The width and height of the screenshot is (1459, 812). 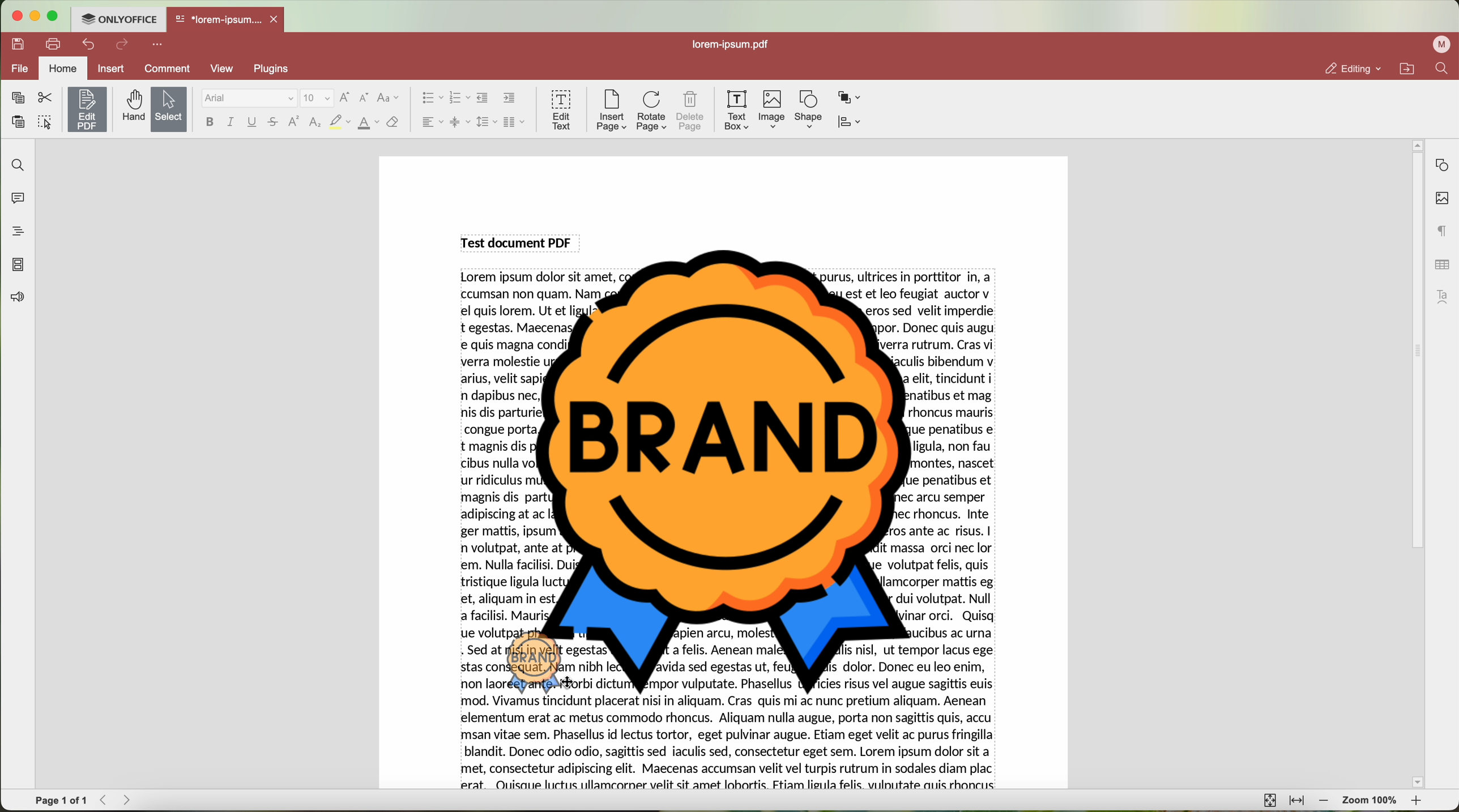 I want to click on arrange shape, so click(x=850, y=98).